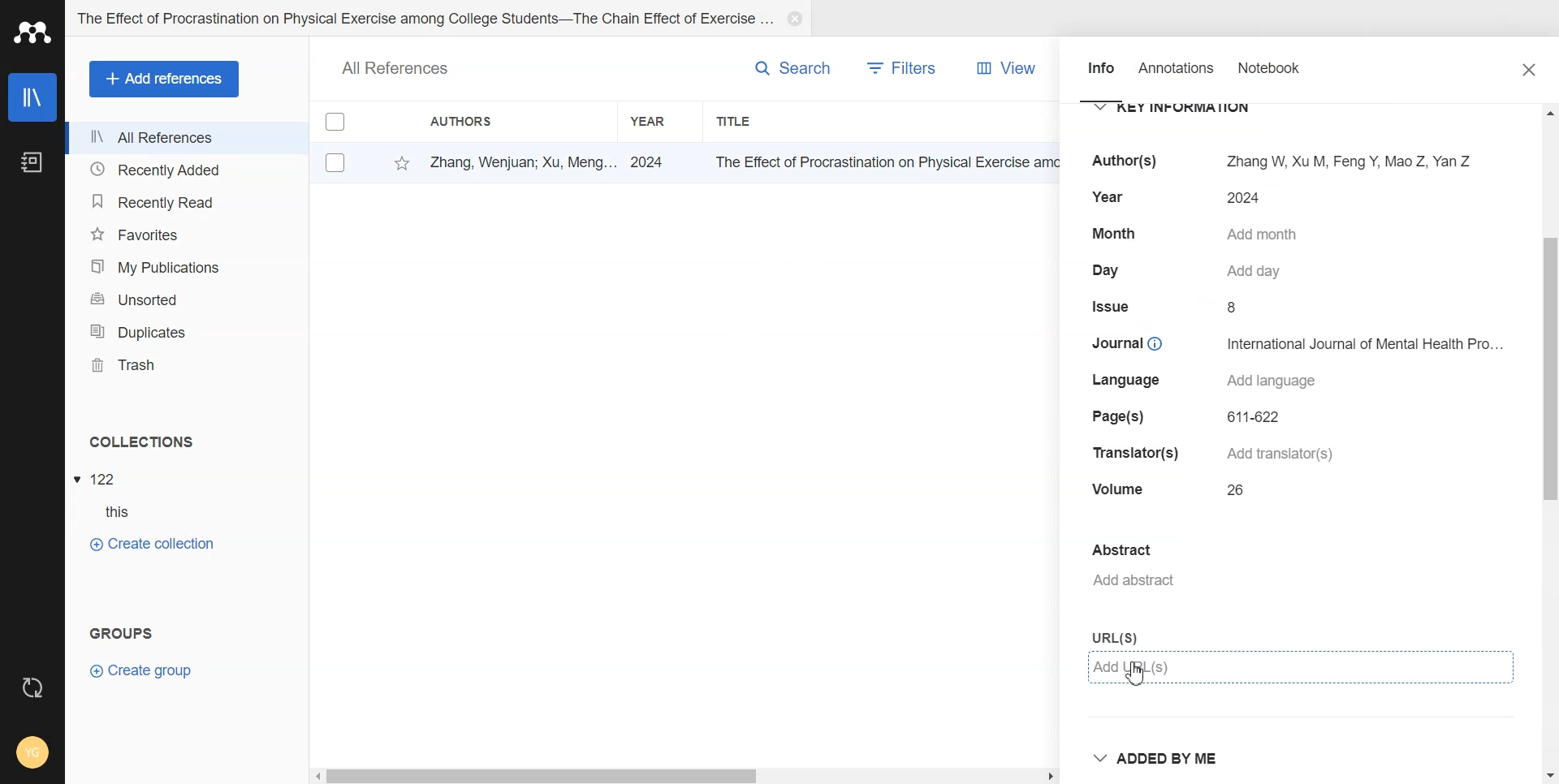  Describe the element at coordinates (1126, 550) in the screenshot. I see `Abstract` at that location.